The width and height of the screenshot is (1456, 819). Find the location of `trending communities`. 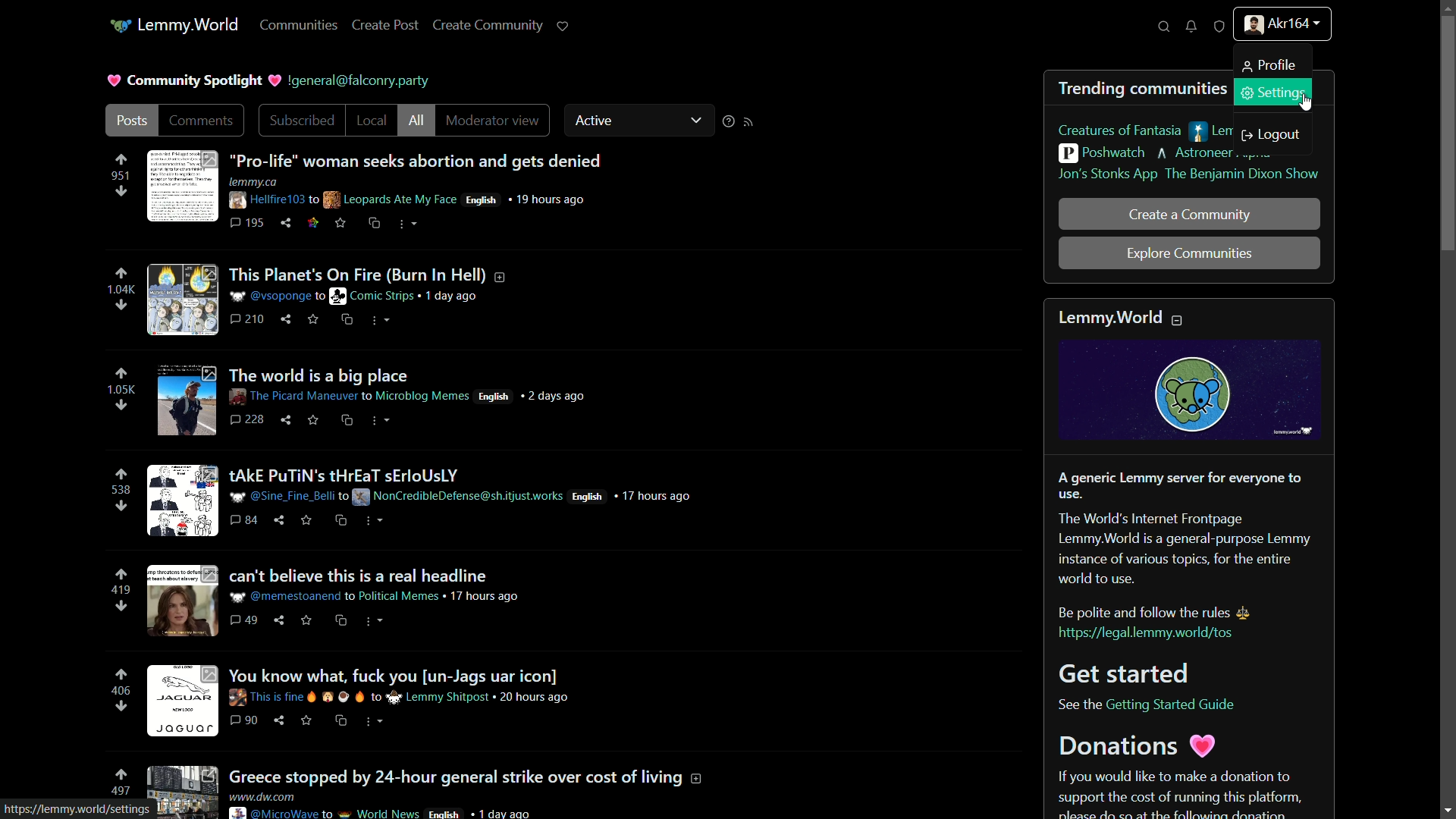

trending communities is located at coordinates (1145, 88).